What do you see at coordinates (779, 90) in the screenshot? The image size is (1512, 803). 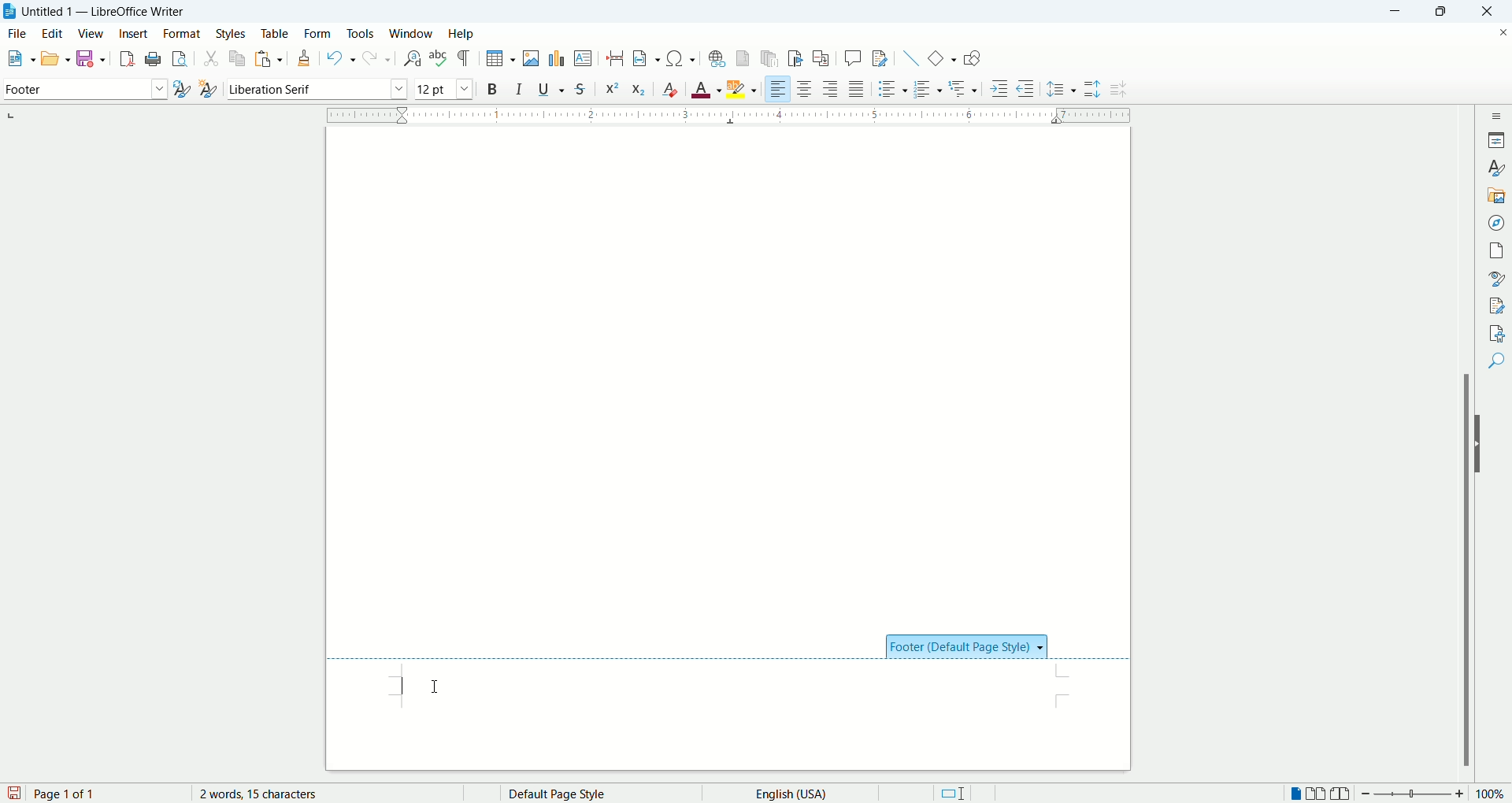 I see `align left` at bounding box center [779, 90].